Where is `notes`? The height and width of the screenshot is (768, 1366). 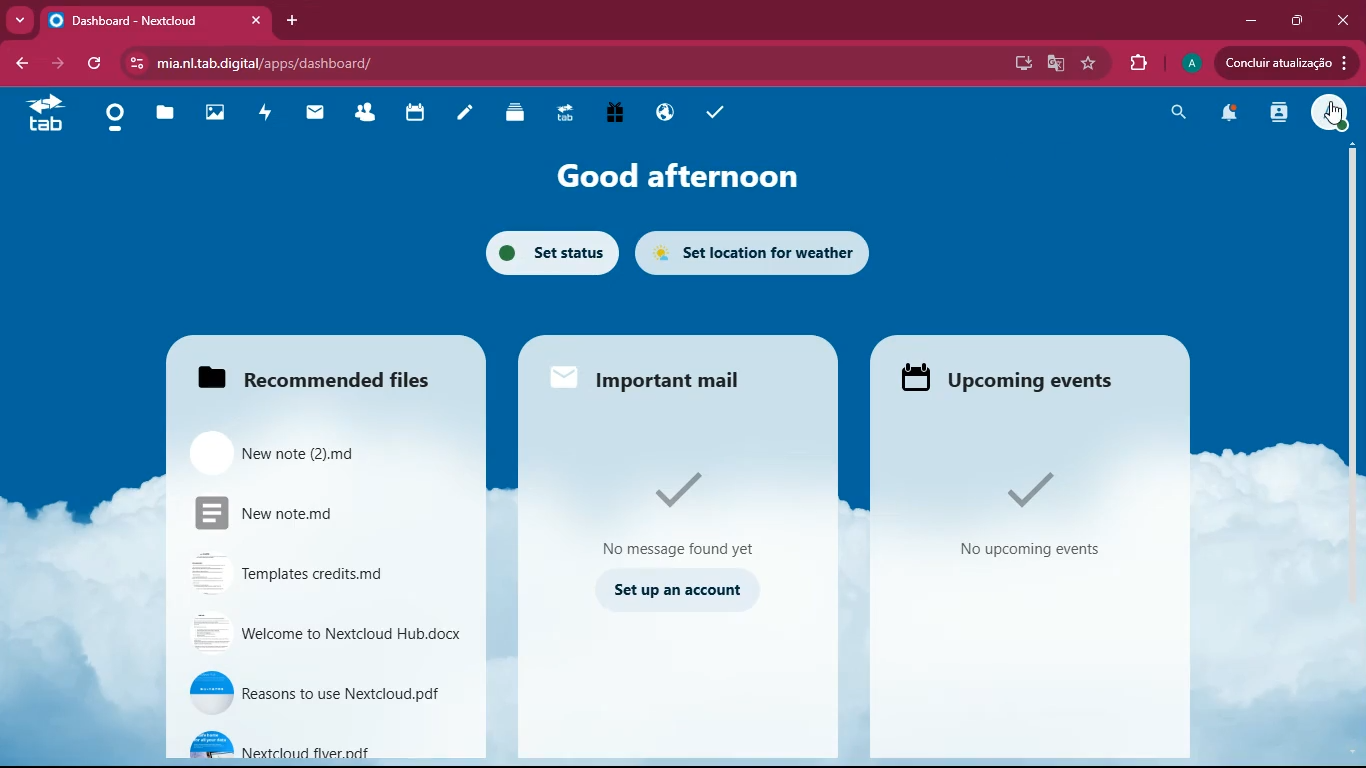 notes is located at coordinates (462, 115).